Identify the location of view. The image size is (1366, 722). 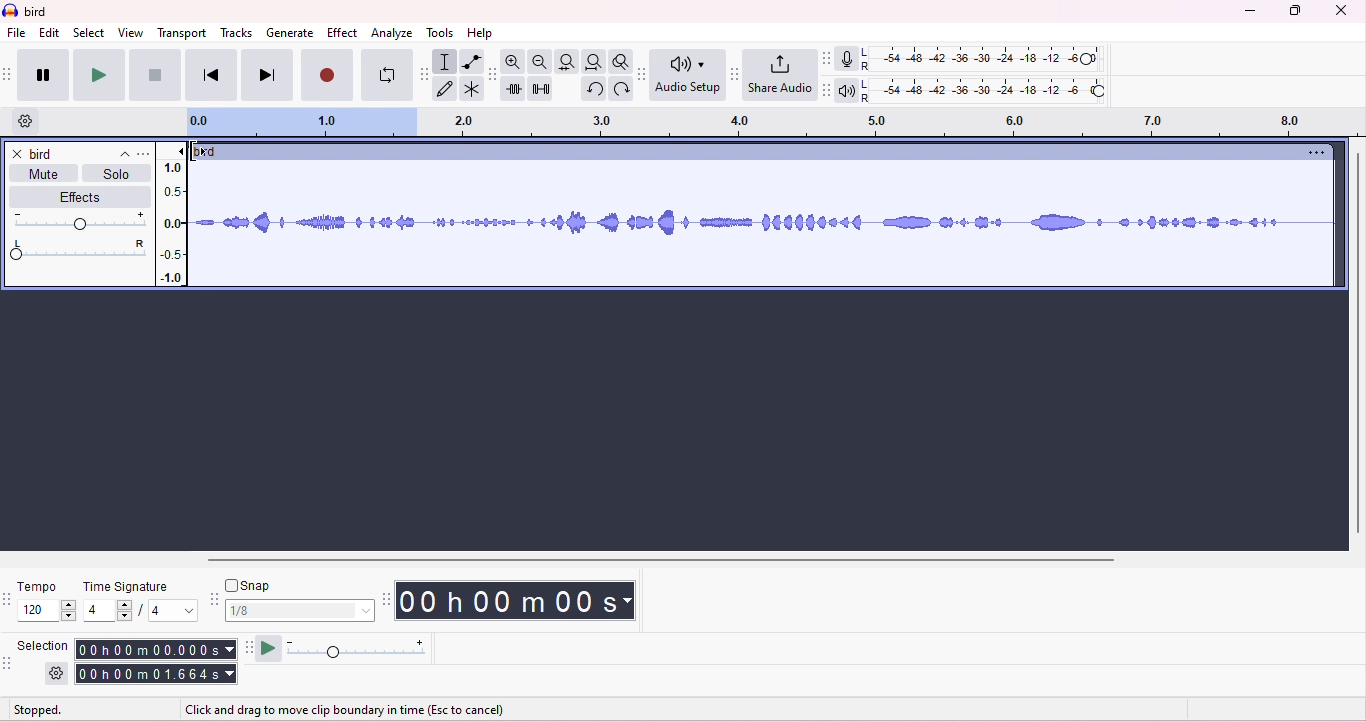
(131, 32).